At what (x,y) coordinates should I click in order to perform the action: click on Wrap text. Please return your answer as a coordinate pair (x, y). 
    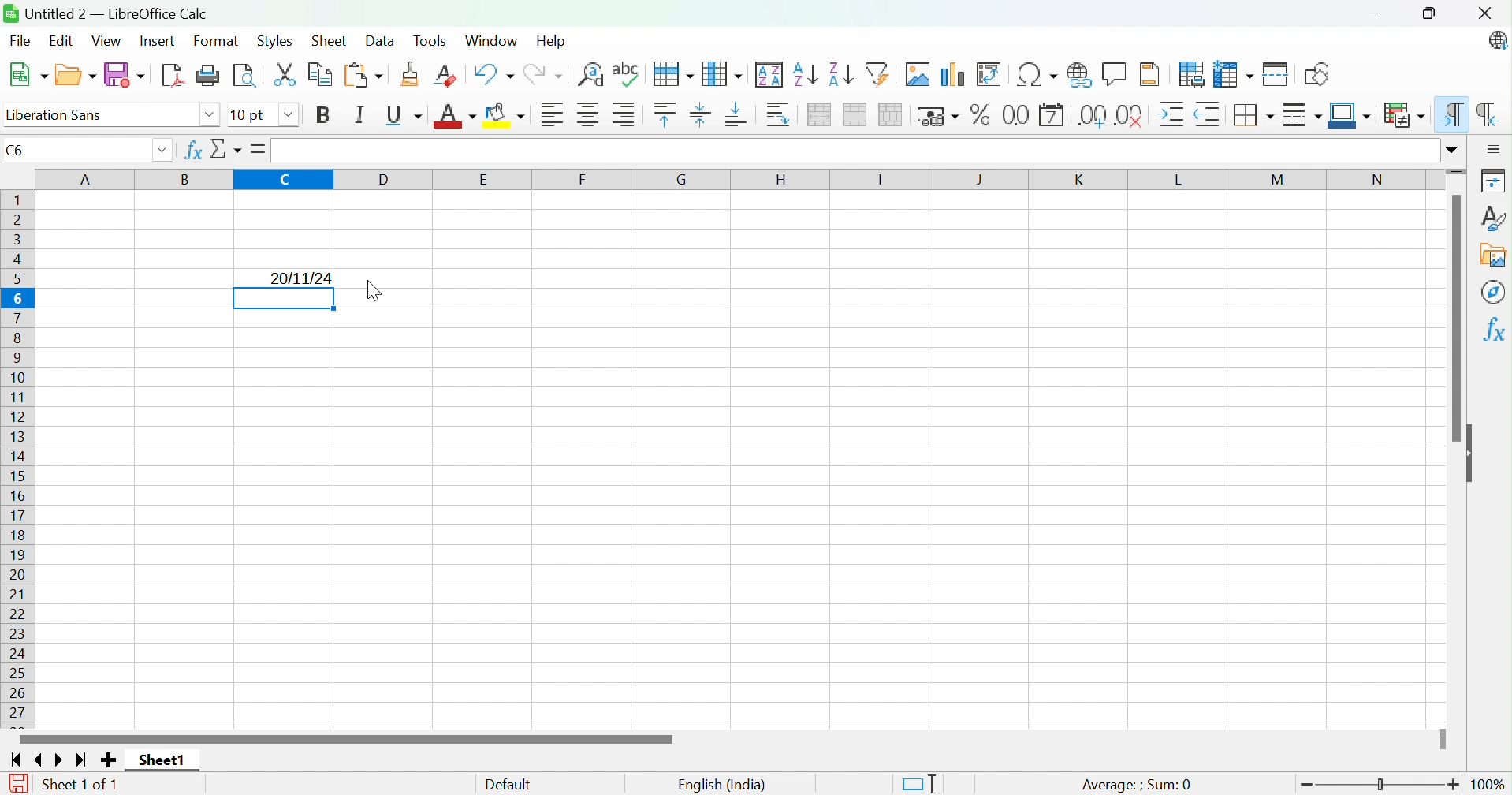
    Looking at the image, I should click on (783, 115).